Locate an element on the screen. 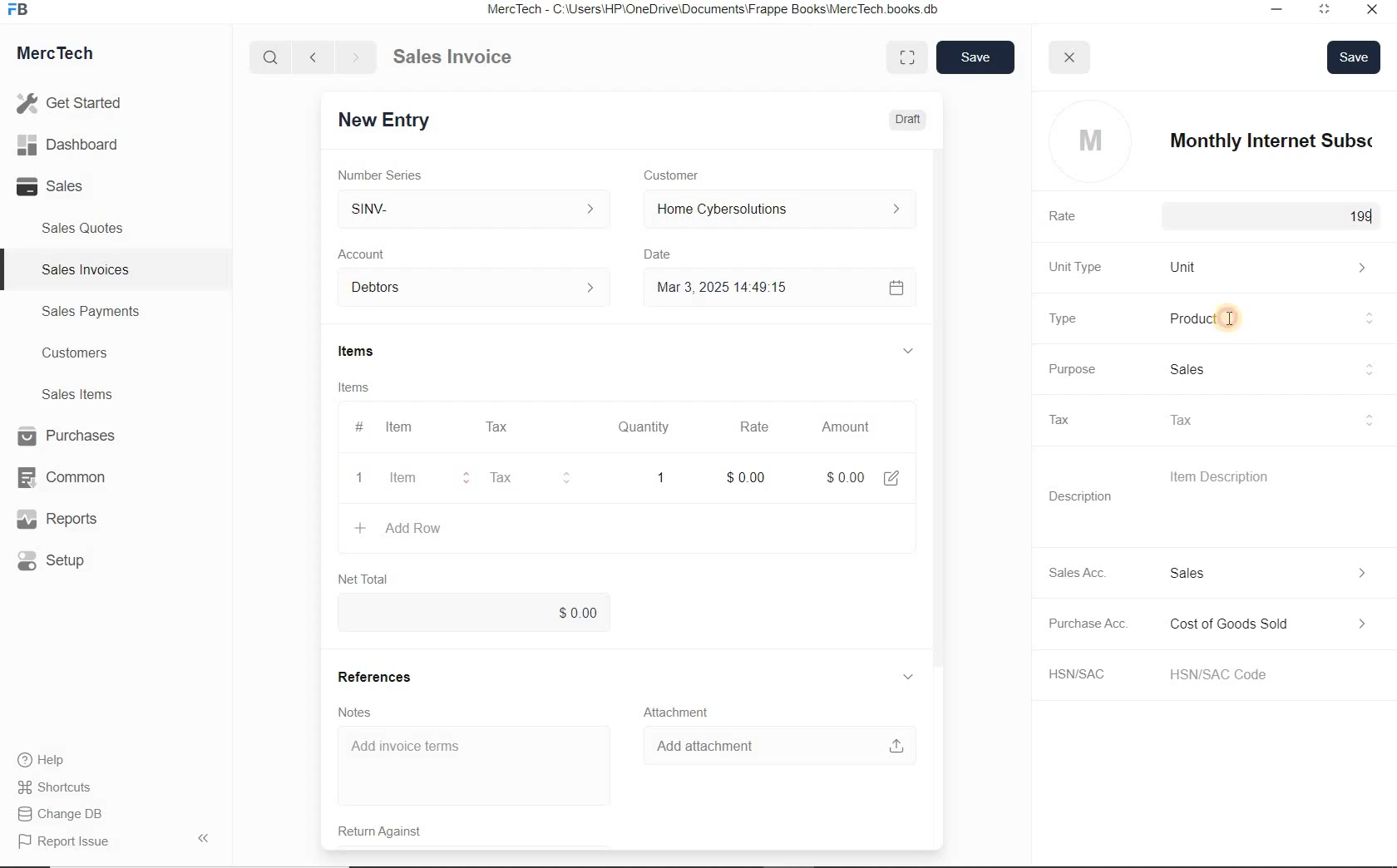 The width and height of the screenshot is (1397, 868). Account is located at coordinates (367, 254).